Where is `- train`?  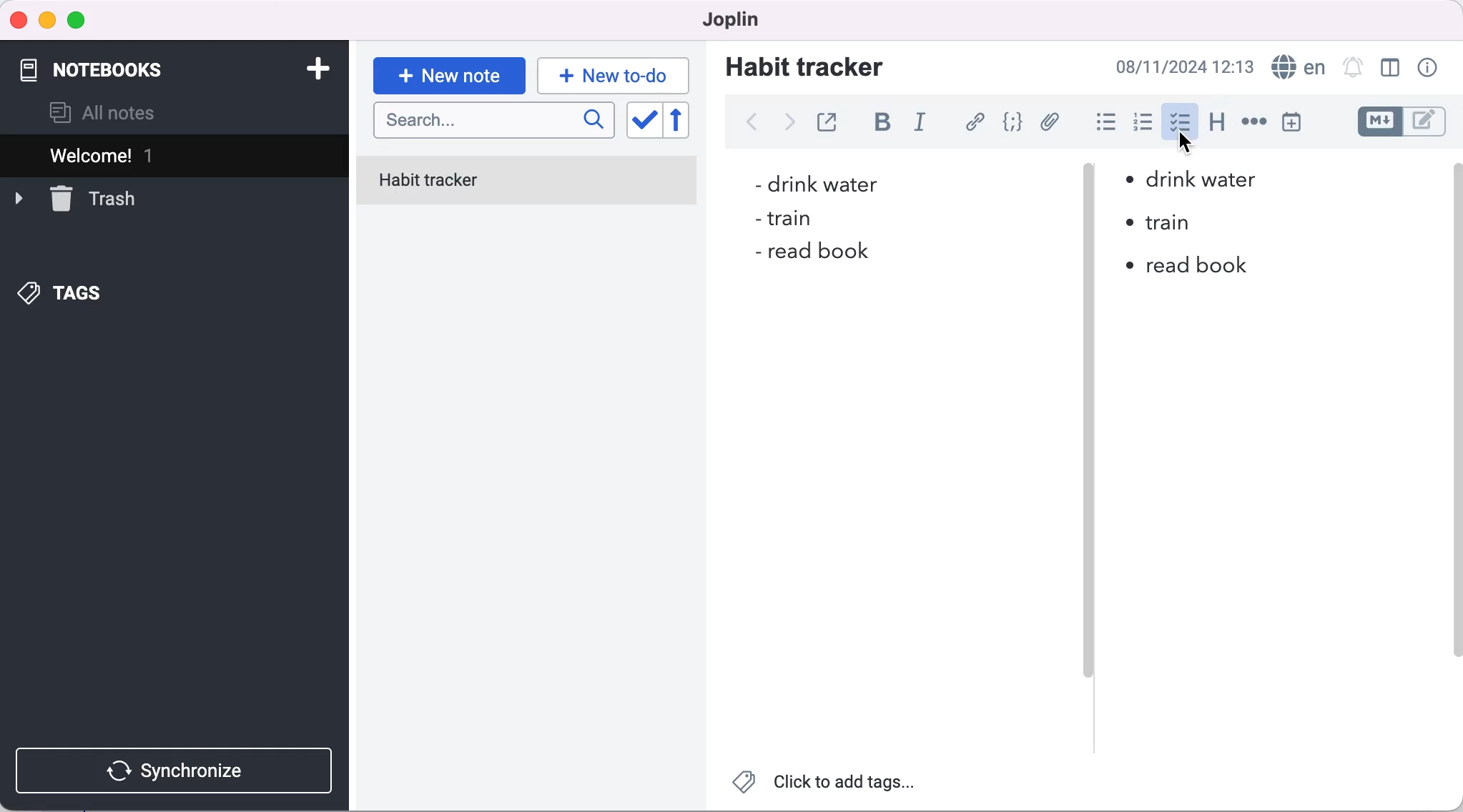
- train is located at coordinates (783, 220).